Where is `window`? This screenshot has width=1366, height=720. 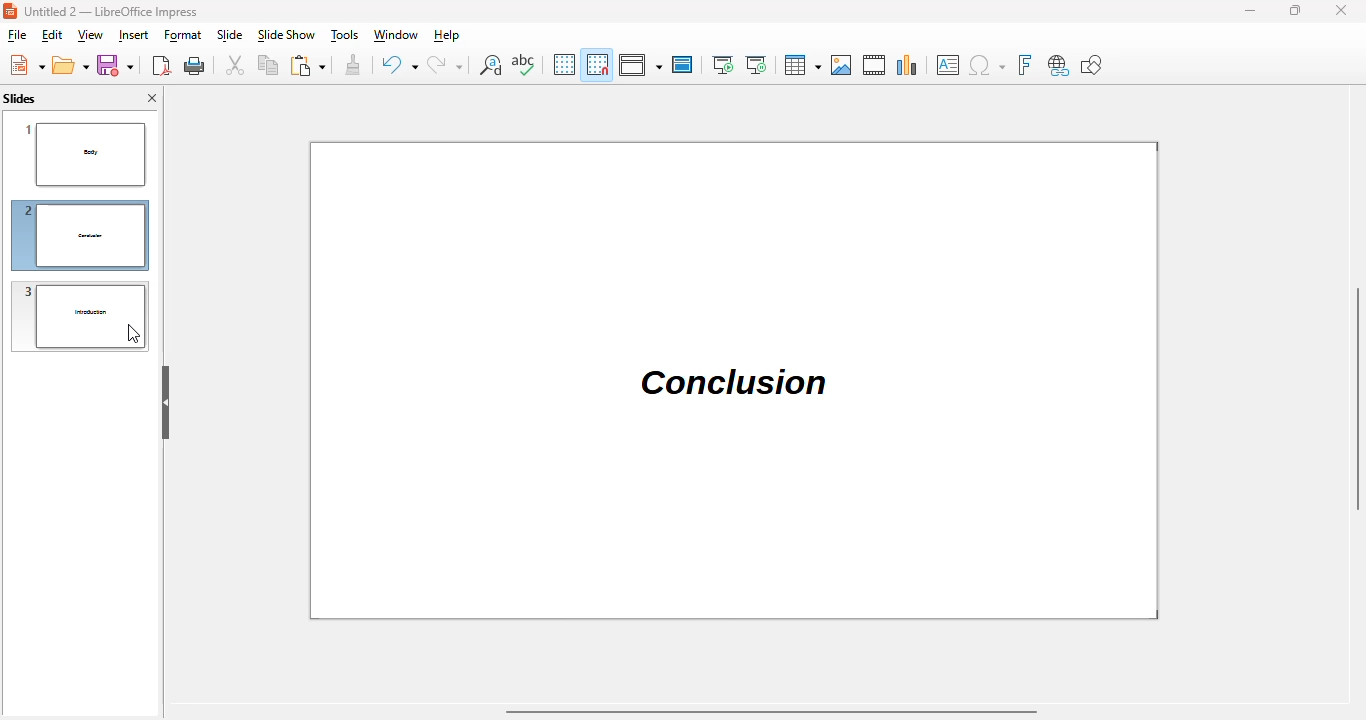
window is located at coordinates (396, 35).